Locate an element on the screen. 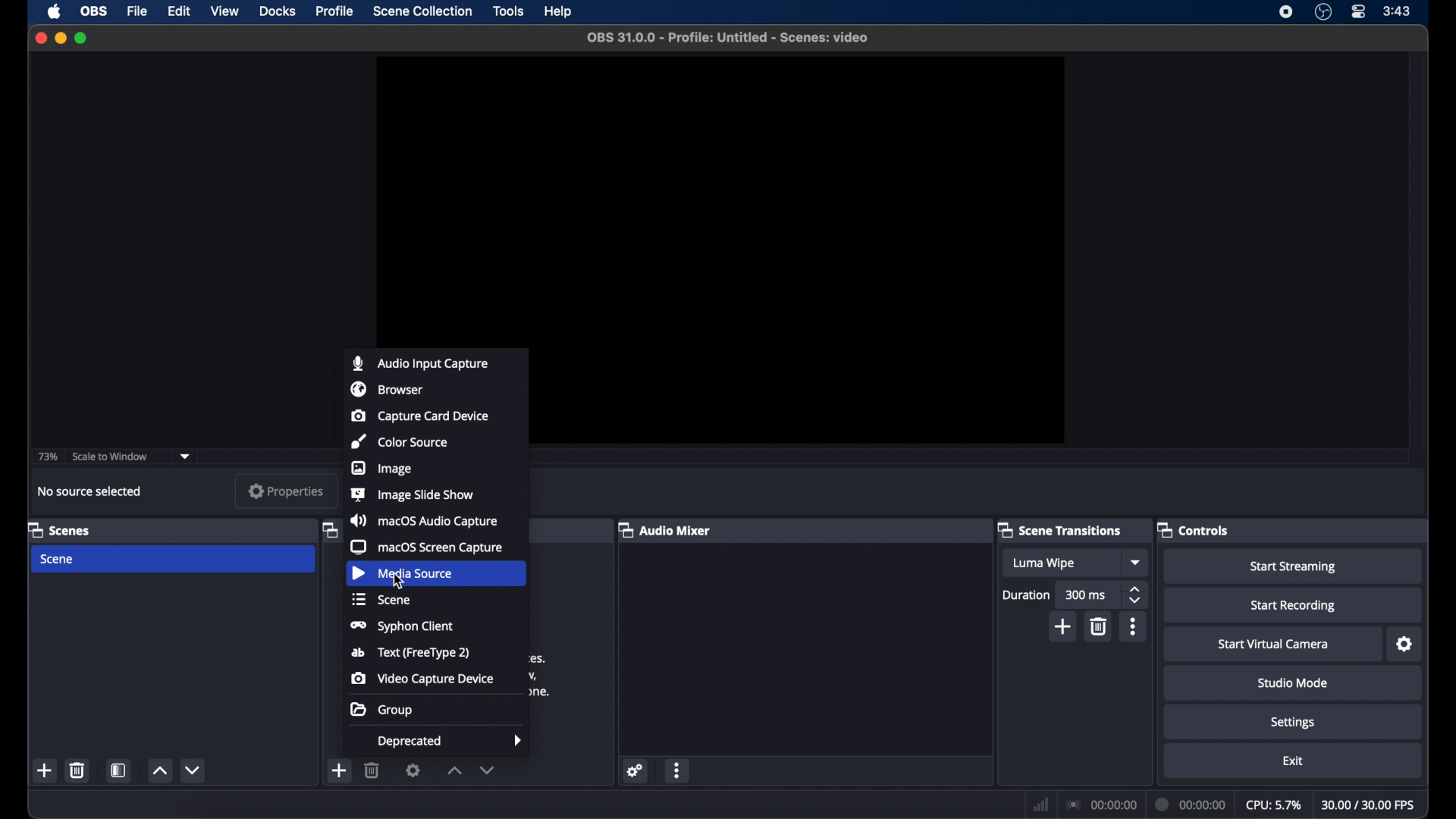  scene transitions is located at coordinates (1059, 529).